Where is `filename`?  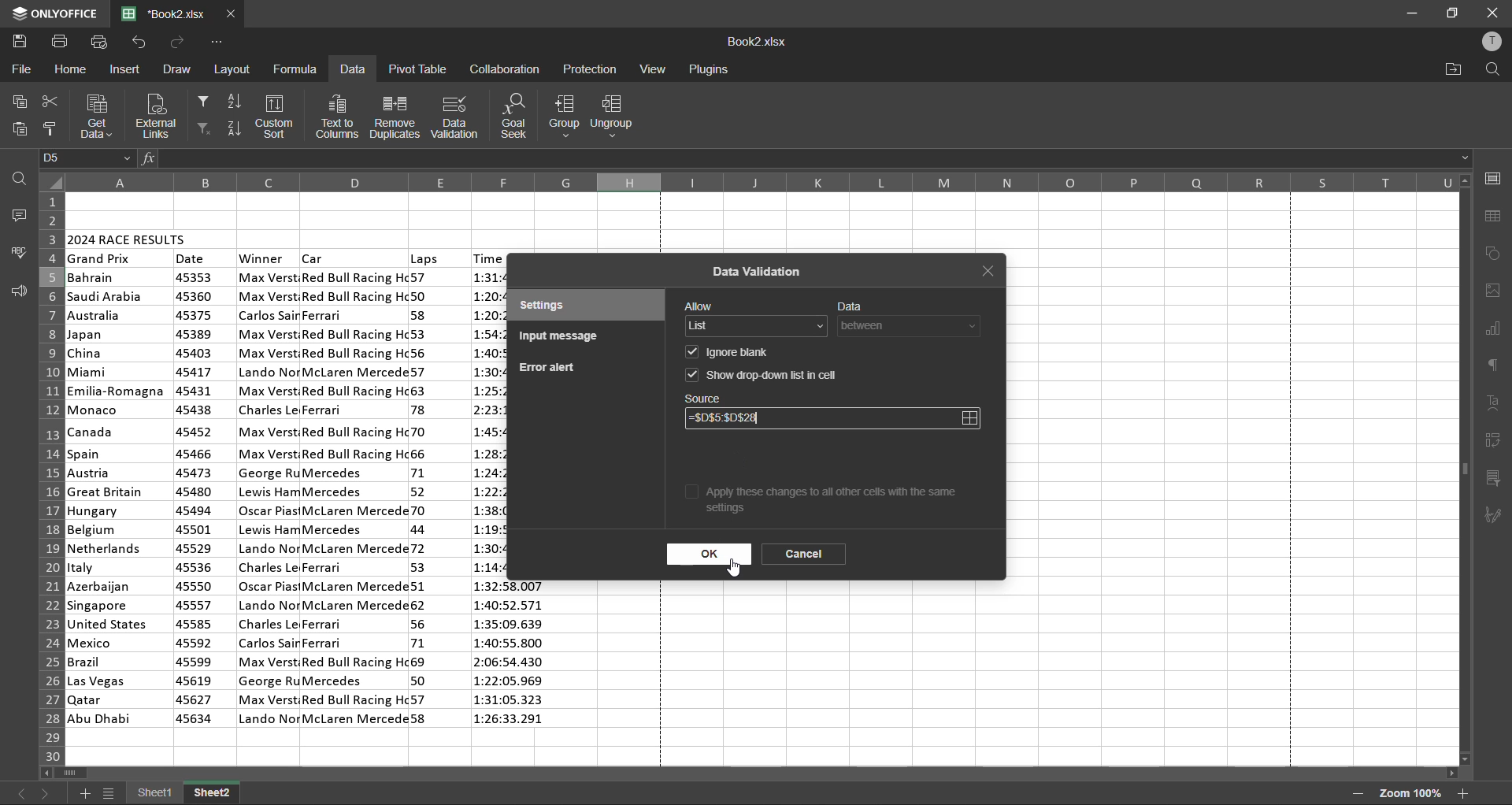 filename is located at coordinates (757, 43).